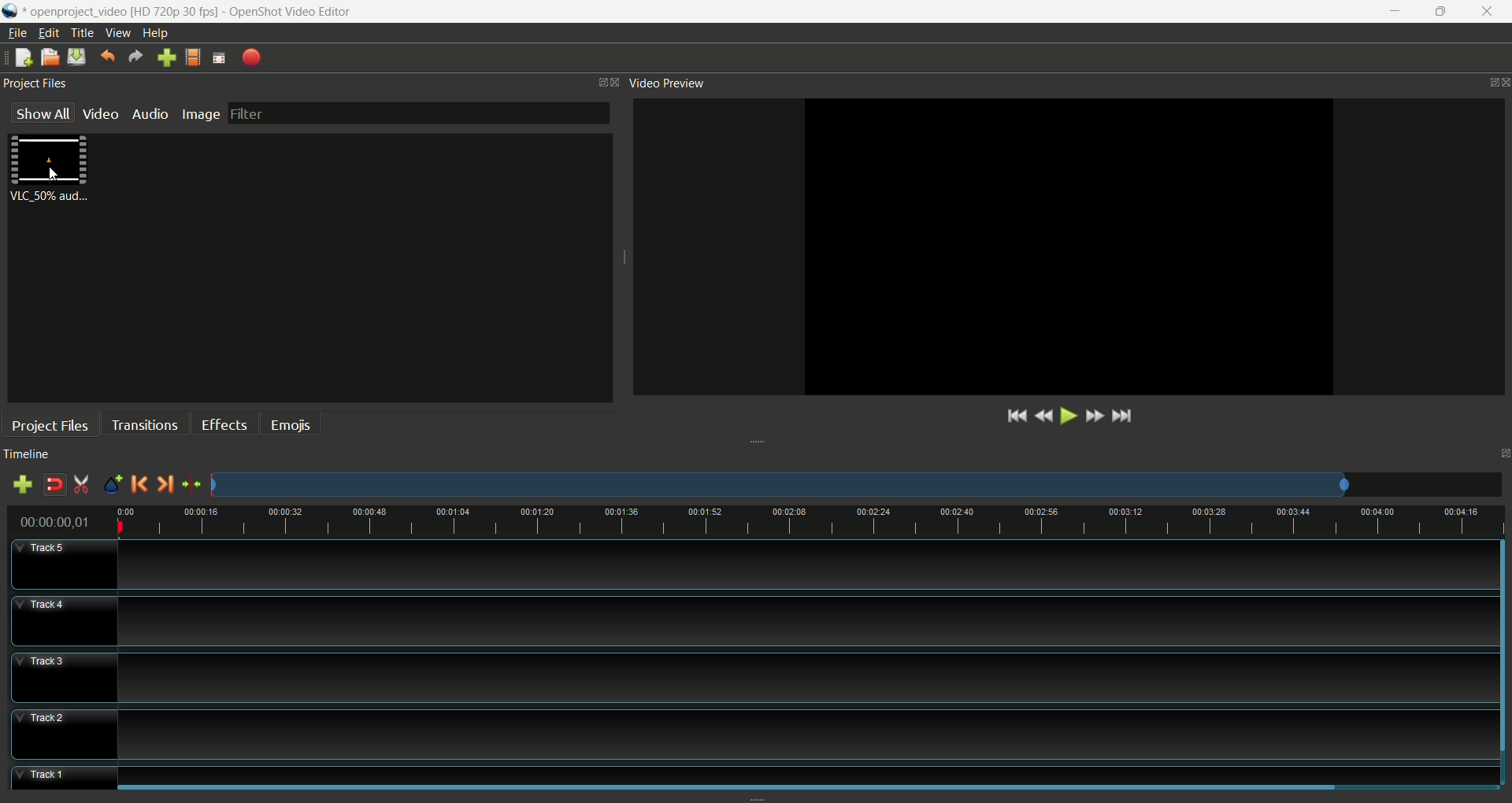  What do you see at coordinates (218, 57) in the screenshot?
I see `fullscreen` at bounding box center [218, 57].